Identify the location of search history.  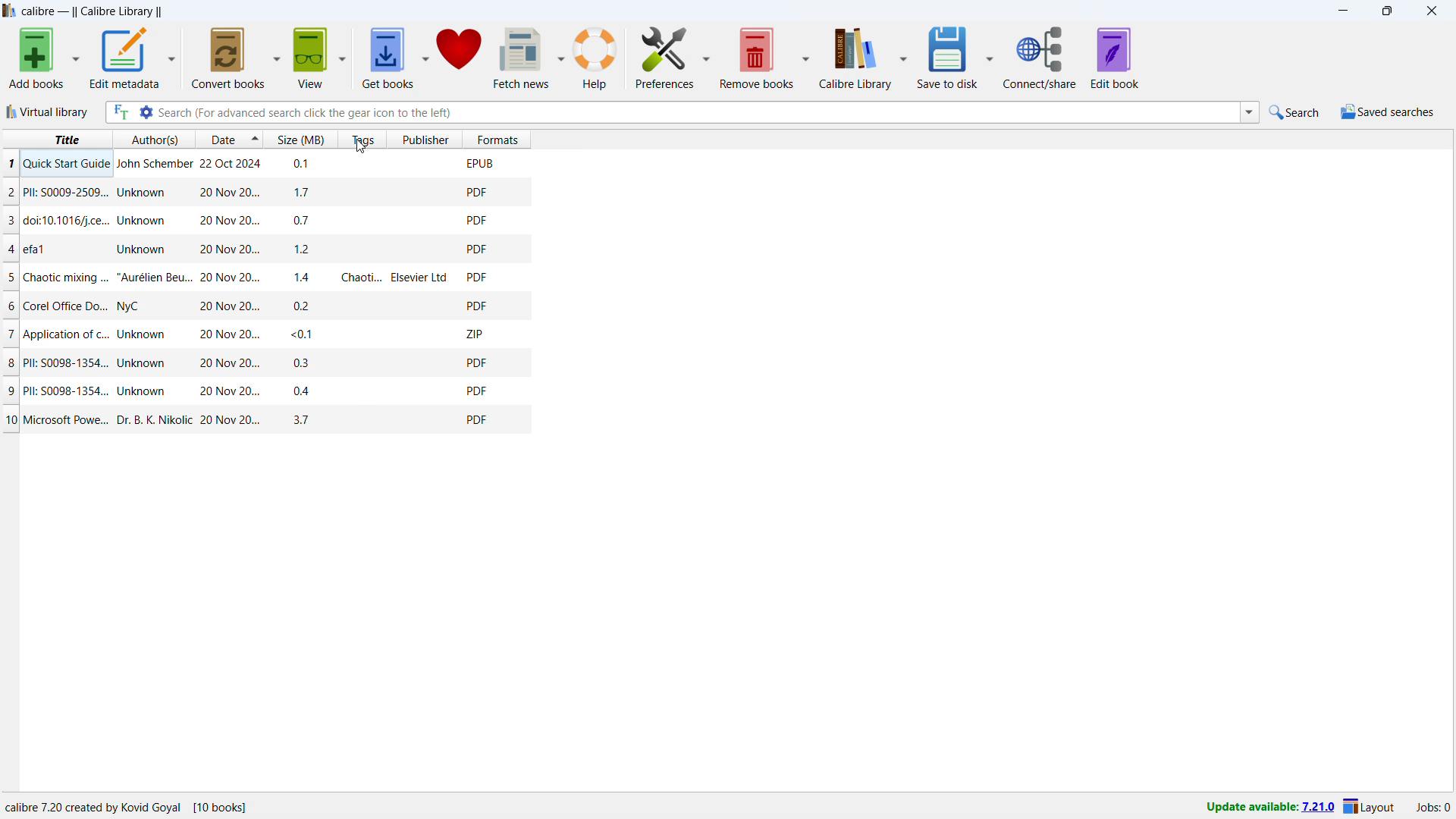
(1250, 111).